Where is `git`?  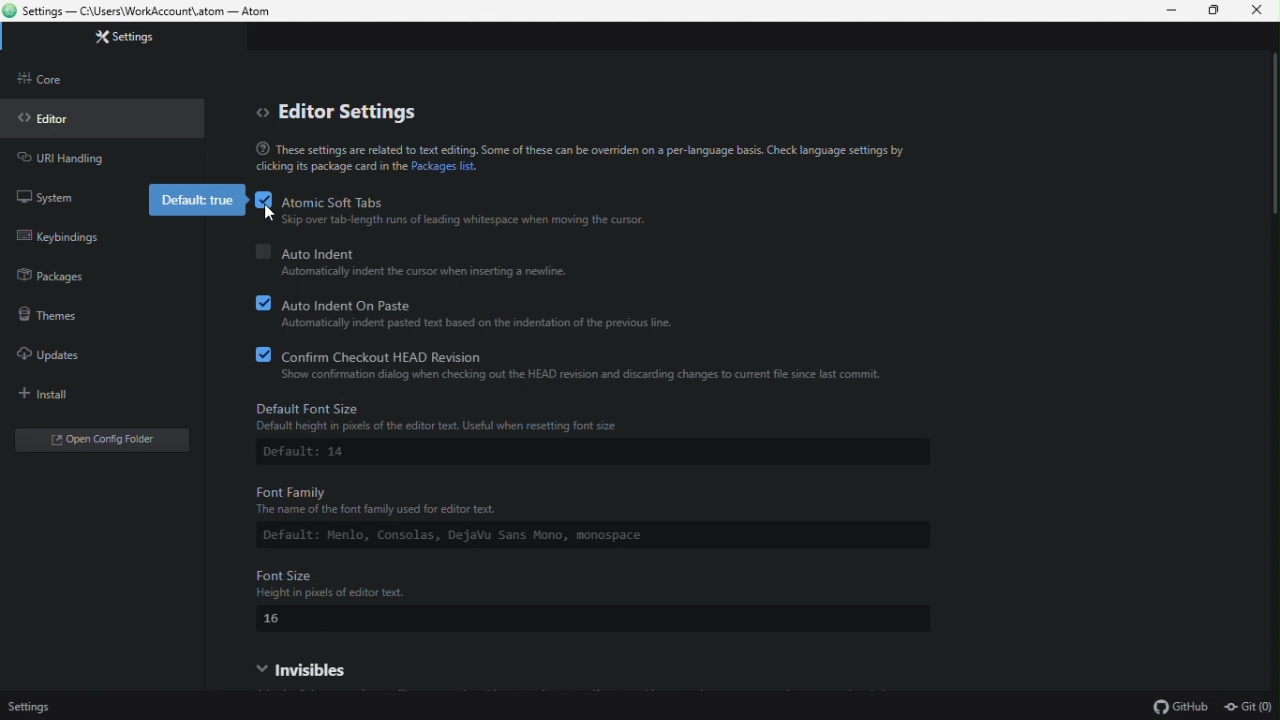 git is located at coordinates (1247, 706).